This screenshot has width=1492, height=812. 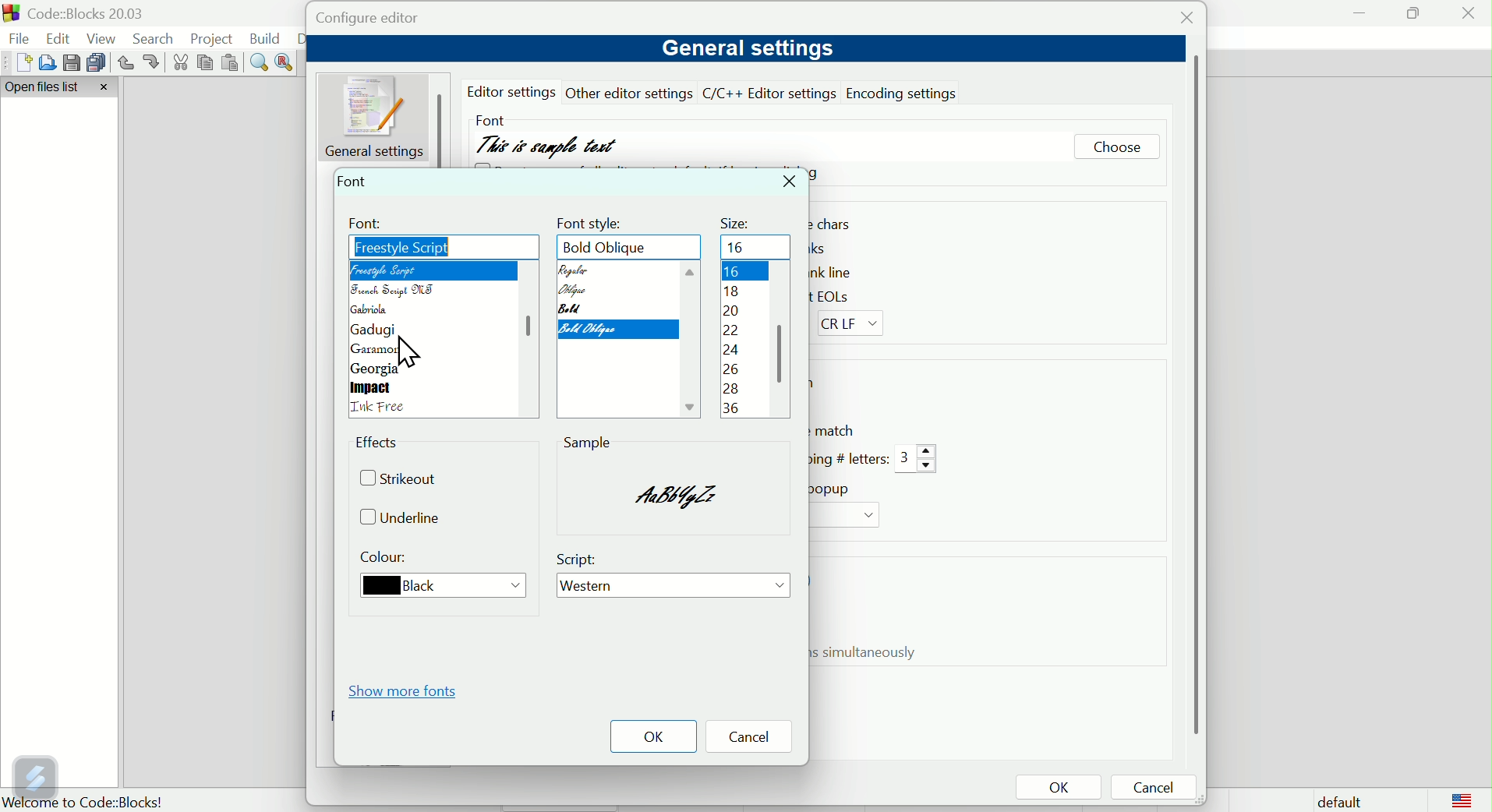 What do you see at coordinates (734, 408) in the screenshot?
I see `36` at bounding box center [734, 408].